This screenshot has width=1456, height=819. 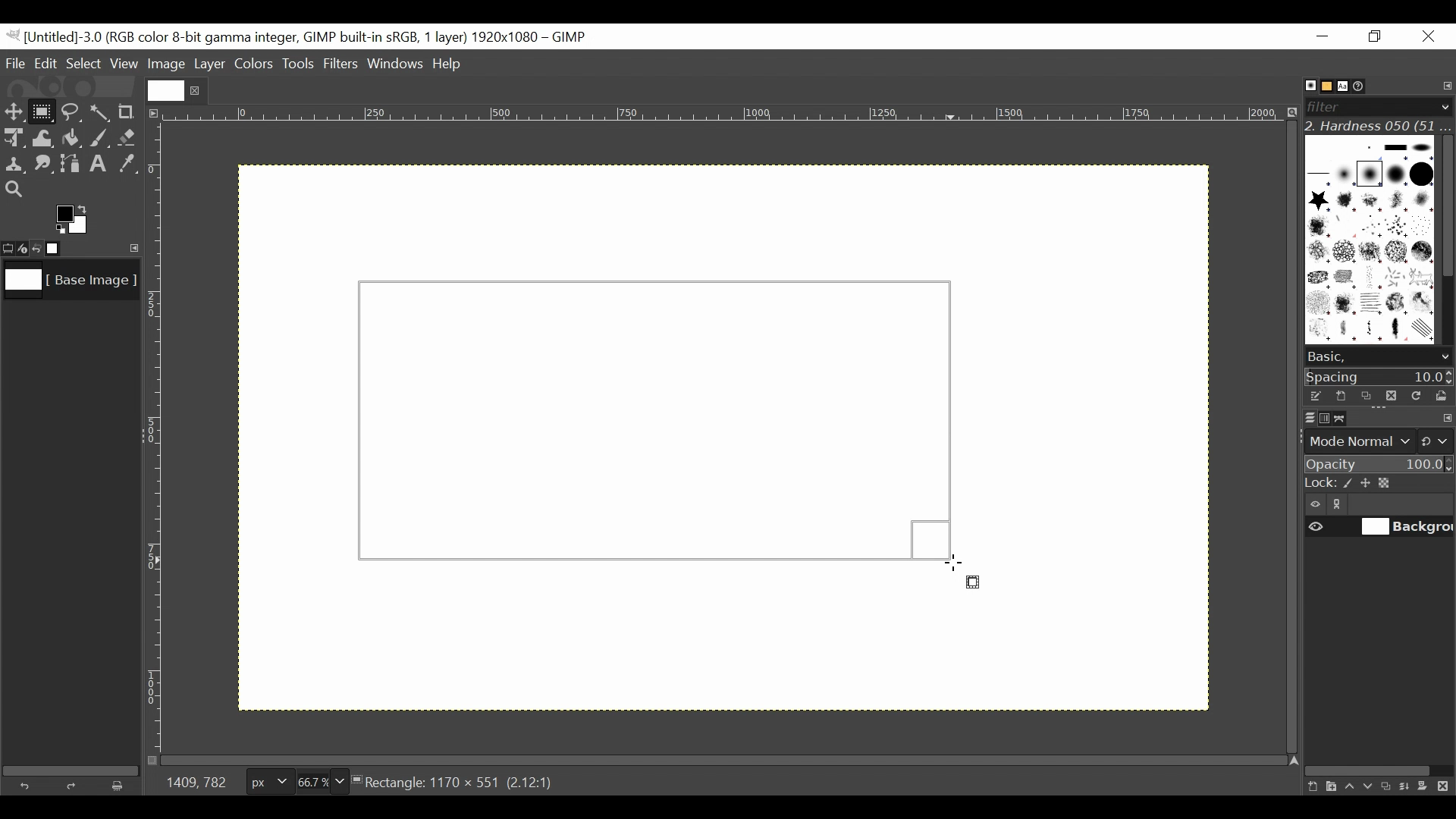 I want to click on Paintbrush tool, so click(x=99, y=140).